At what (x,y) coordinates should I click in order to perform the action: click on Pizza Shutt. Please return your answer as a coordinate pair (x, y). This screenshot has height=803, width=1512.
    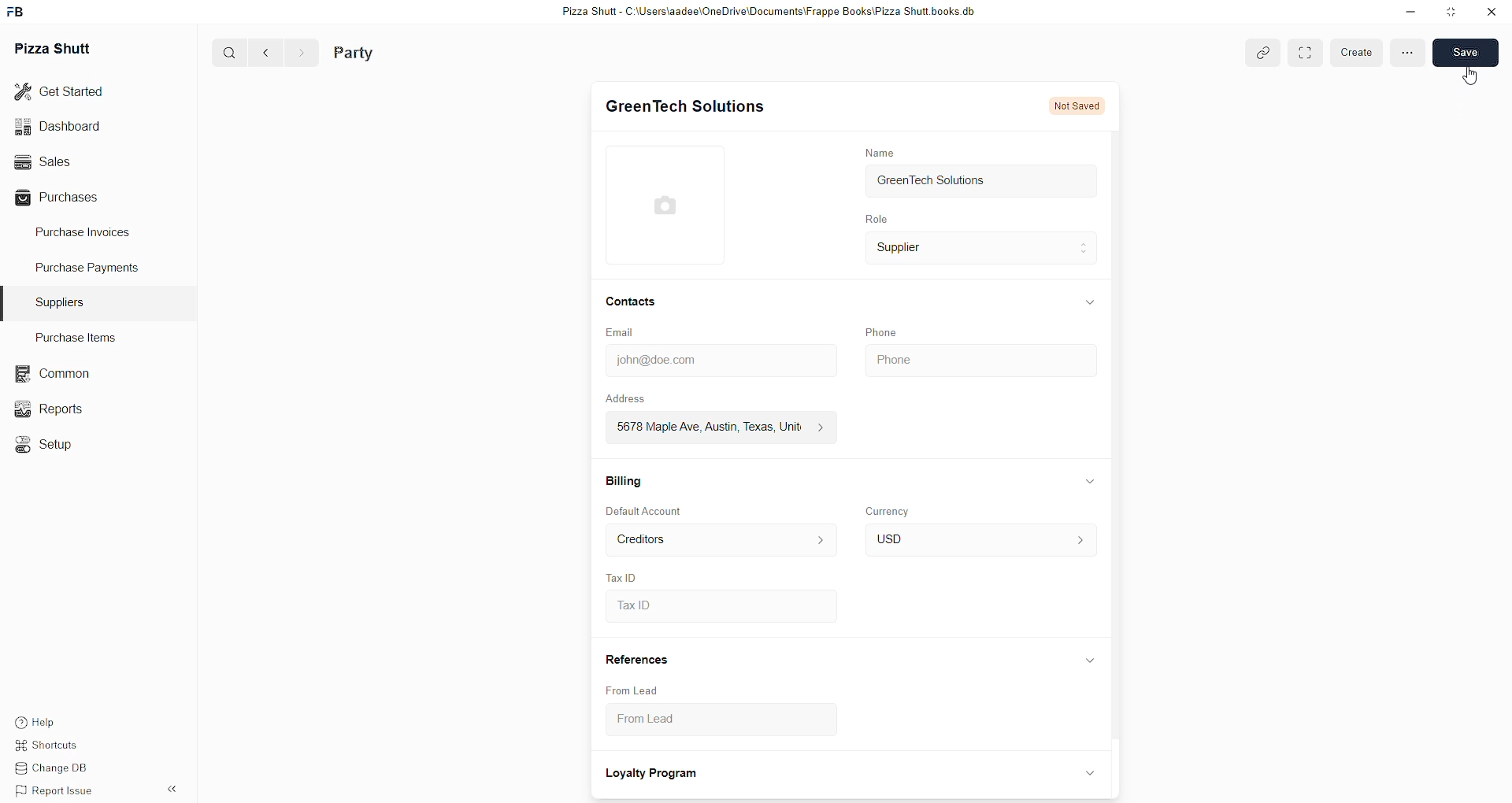
    Looking at the image, I should click on (58, 49).